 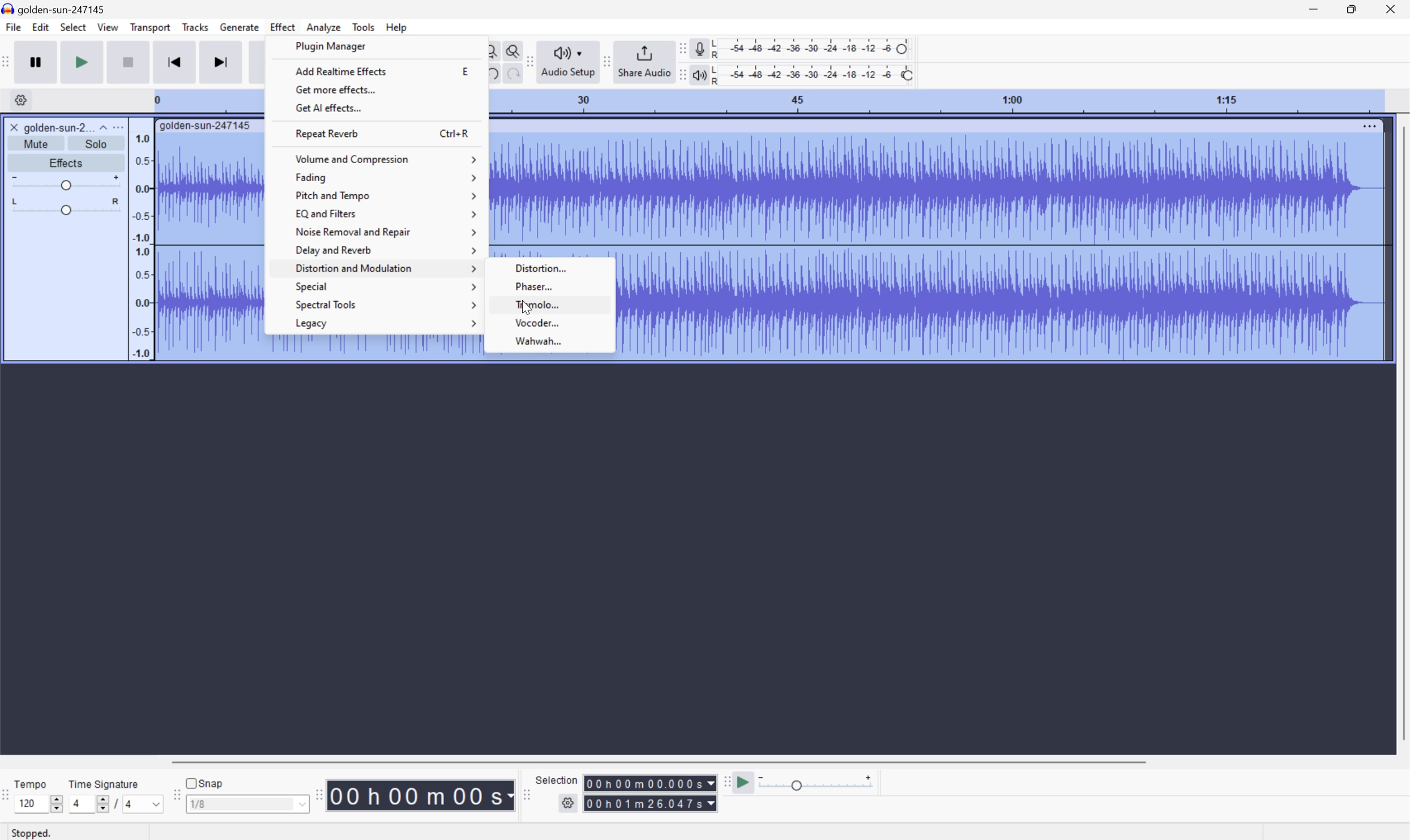 What do you see at coordinates (510, 50) in the screenshot?
I see `Zoom toggle` at bounding box center [510, 50].